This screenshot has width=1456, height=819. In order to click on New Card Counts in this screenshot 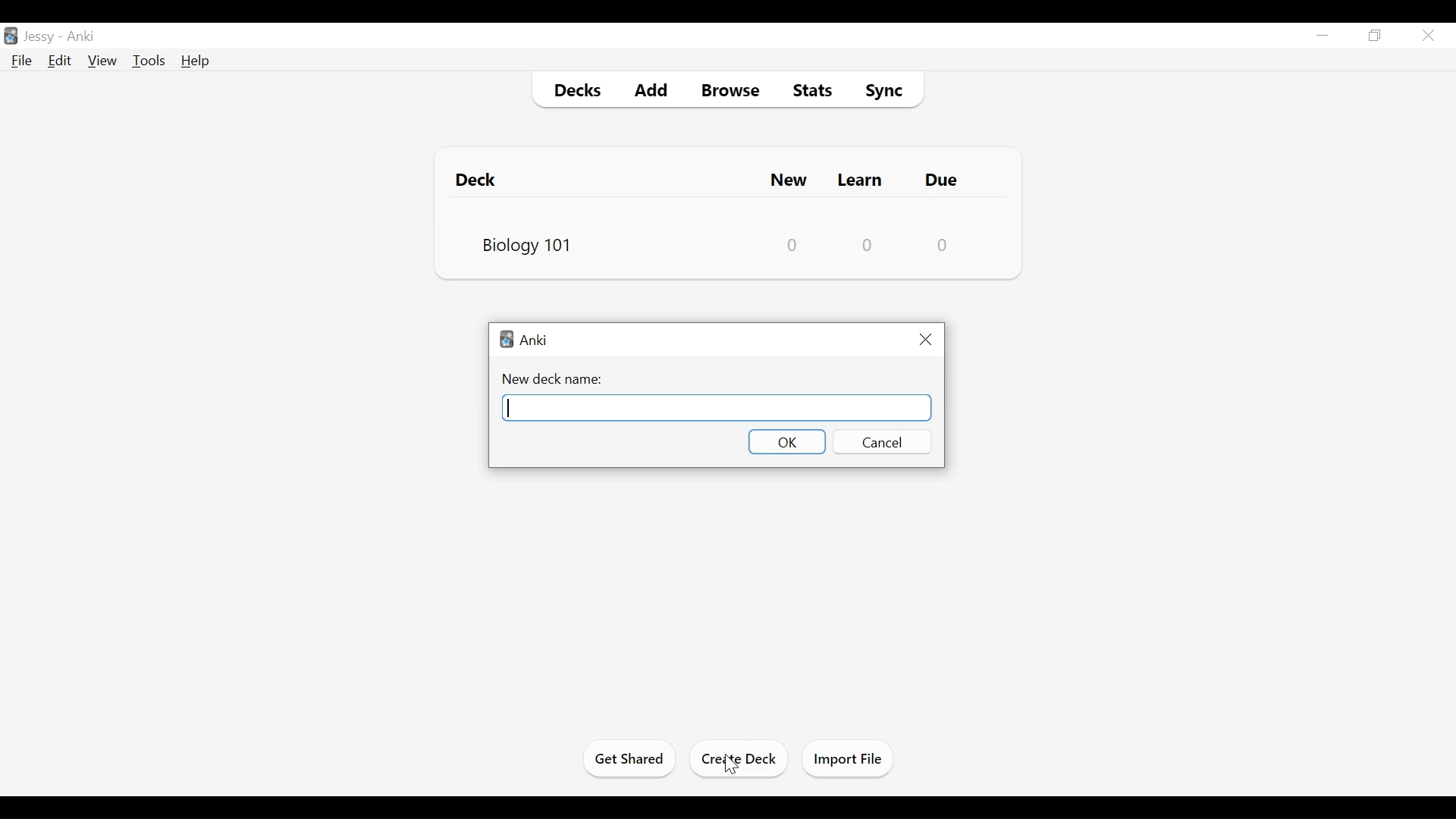, I will do `click(795, 243)`.